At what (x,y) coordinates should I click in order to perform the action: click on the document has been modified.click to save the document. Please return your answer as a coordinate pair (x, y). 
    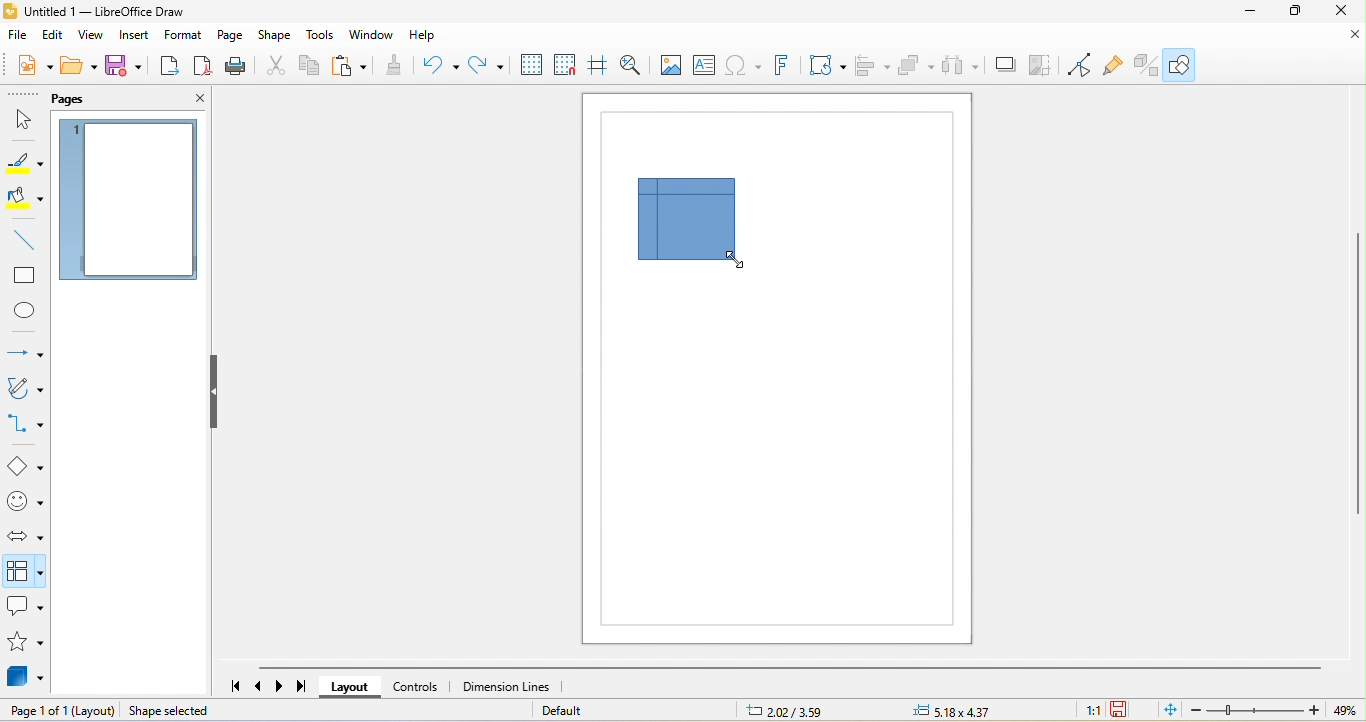
    Looking at the image, I should click on (1122, 710).